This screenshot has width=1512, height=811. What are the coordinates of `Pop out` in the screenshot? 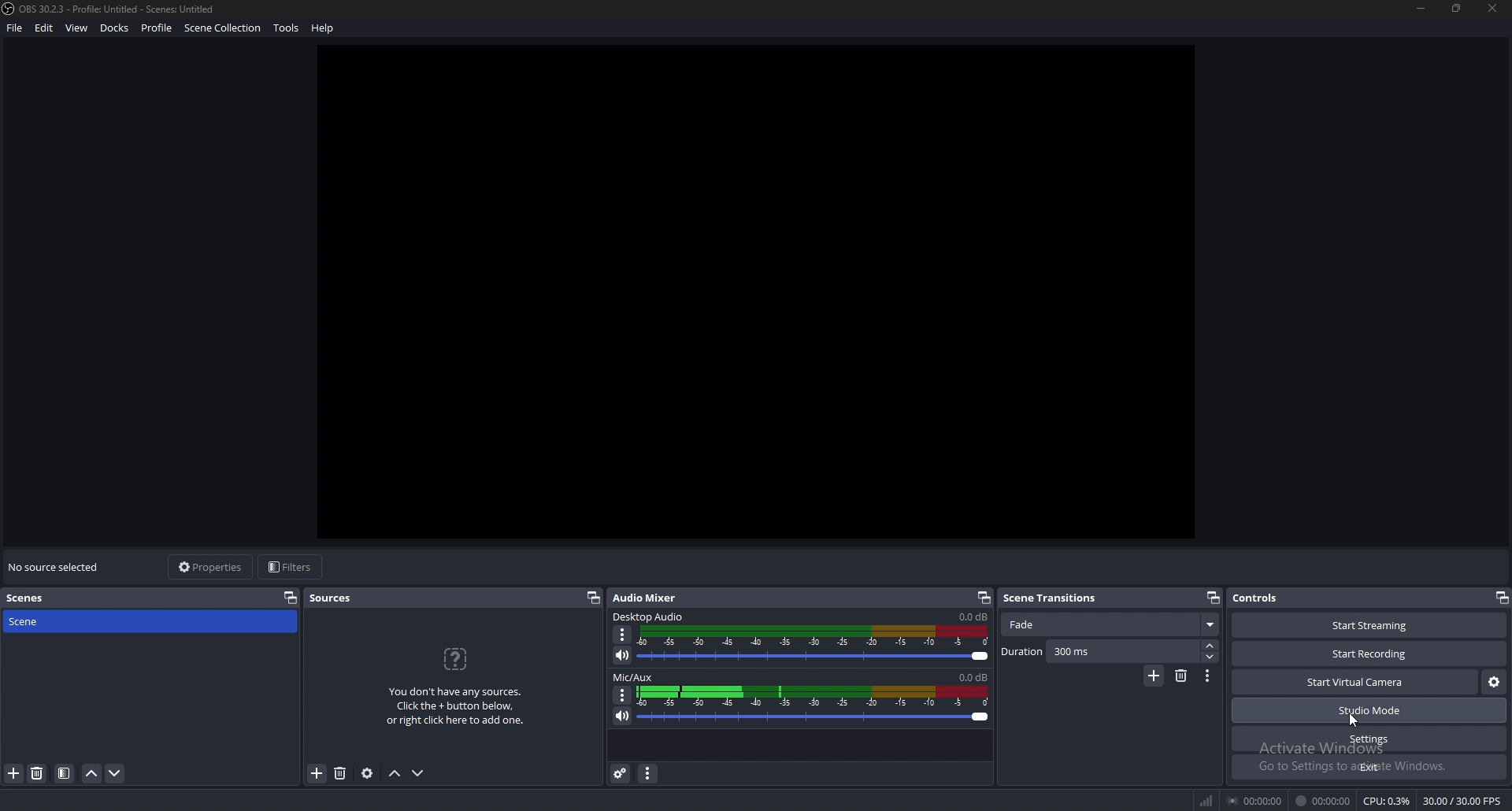 It's located at (1213, 597).